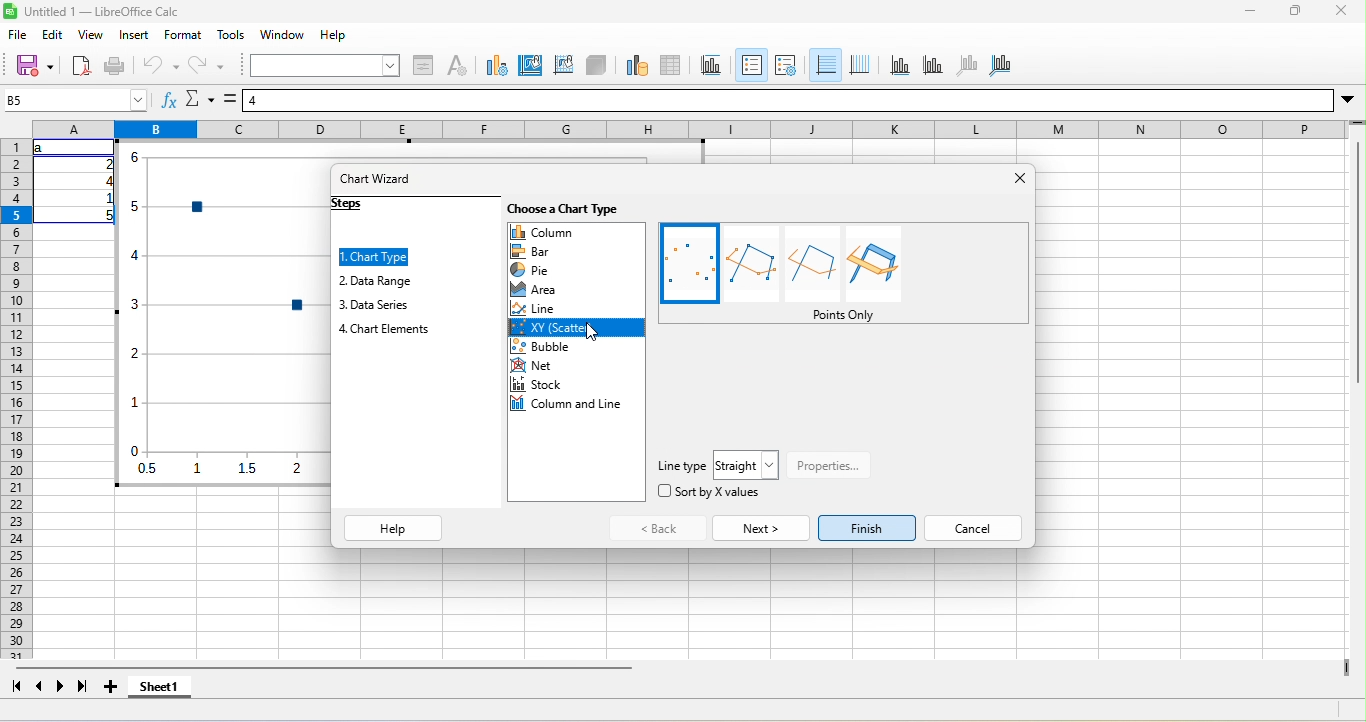  I want to click on XY (Scatter) chart, so click(223, 313).